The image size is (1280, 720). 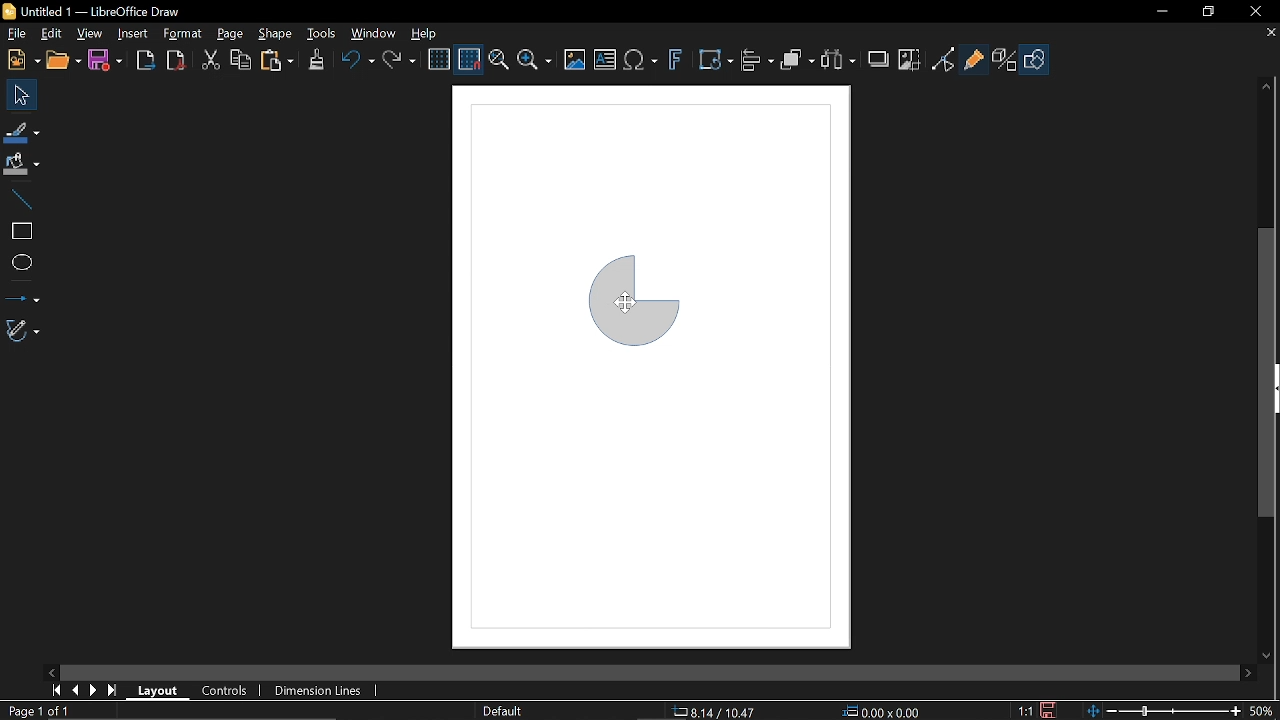 What do you see at coordinates (20, 60) in the screenshot?
I see `new` at bounding box center [20, 60].